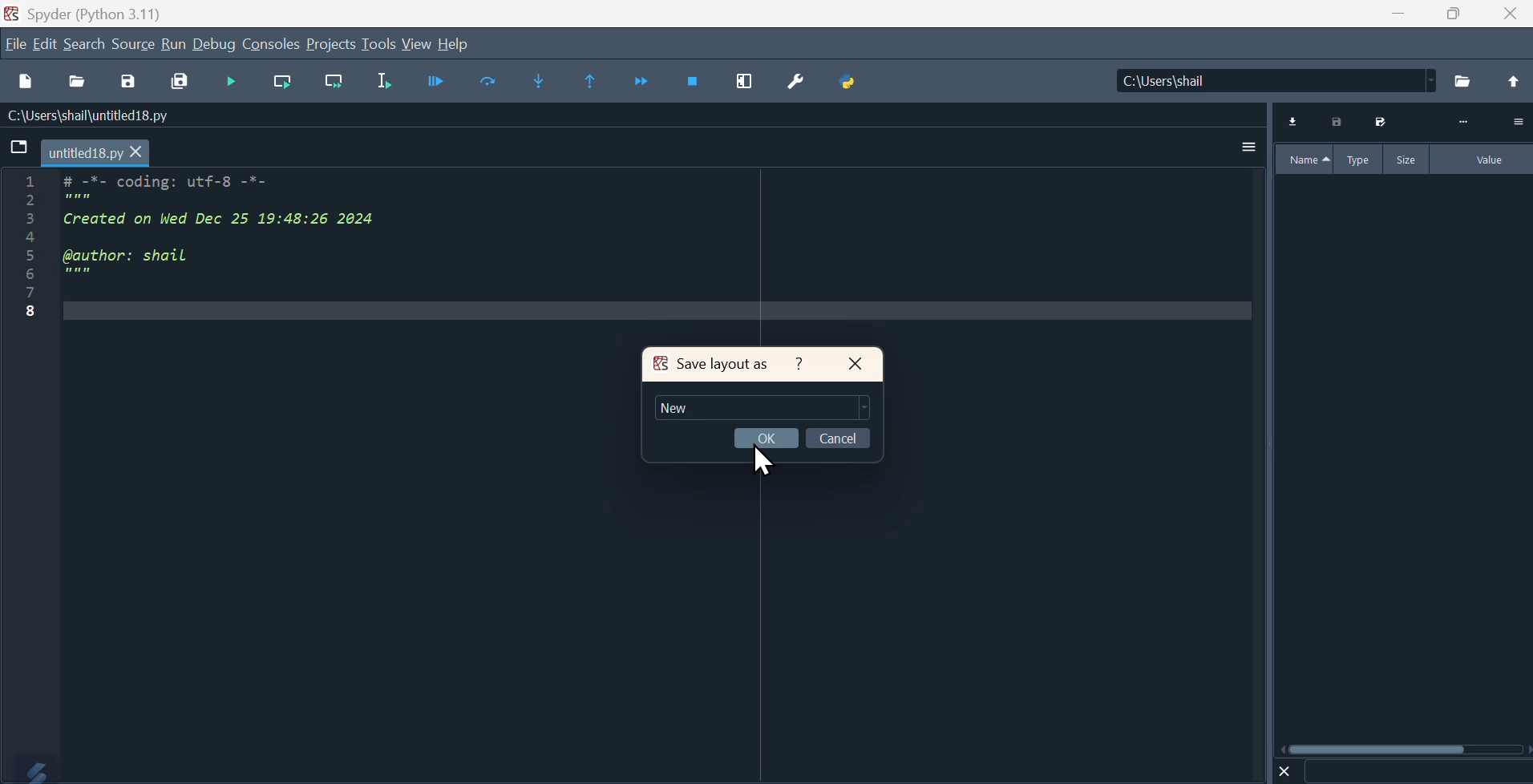 The height and width of the screenshot is (784, 1533). What do you see at coordinates (1277, 80) in the screenshot?
I see `C:\user\shall` at bounding box center [1277, 80].